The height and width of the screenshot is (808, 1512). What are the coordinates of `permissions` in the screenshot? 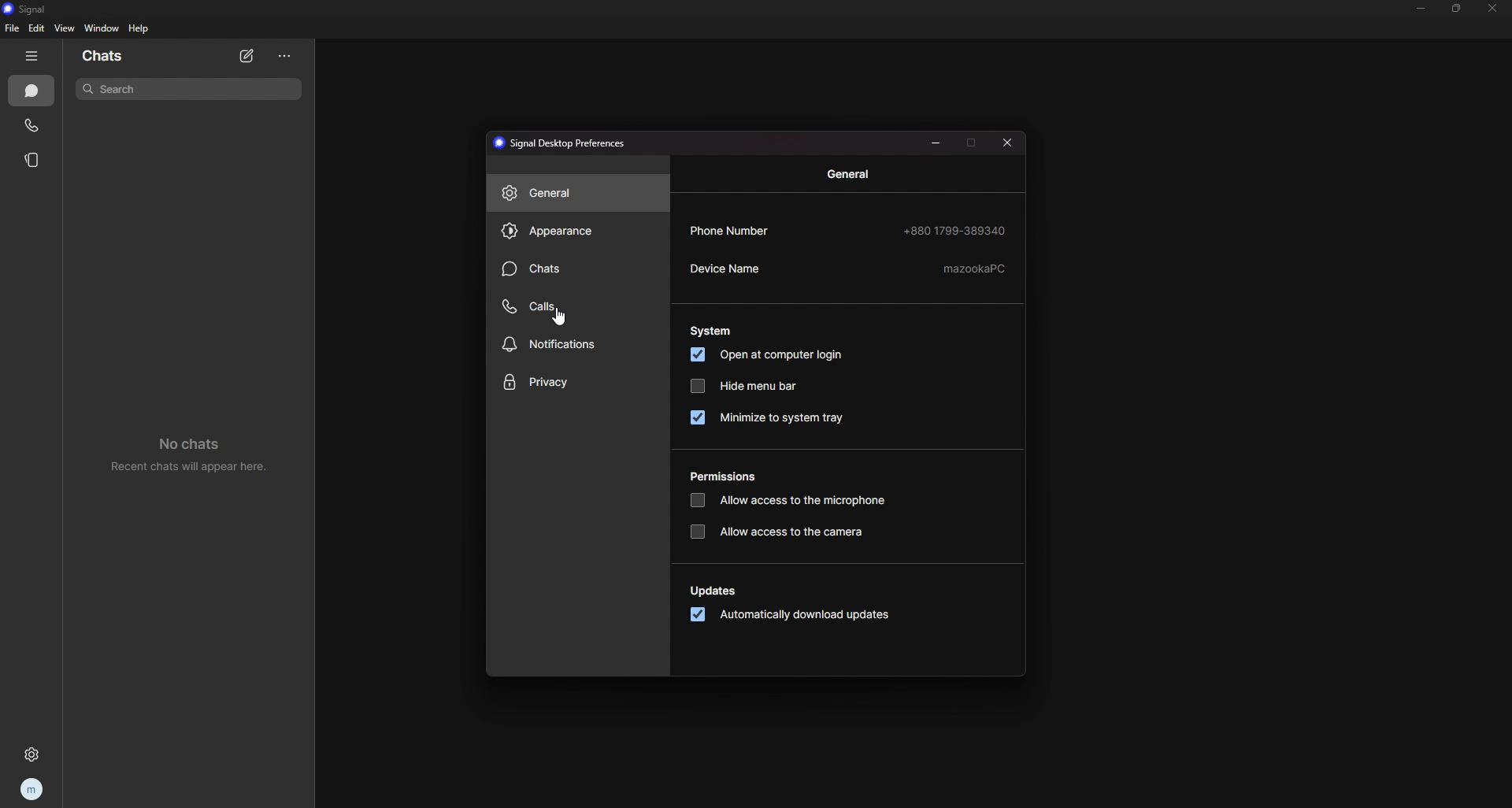 It's located at (729, 477).